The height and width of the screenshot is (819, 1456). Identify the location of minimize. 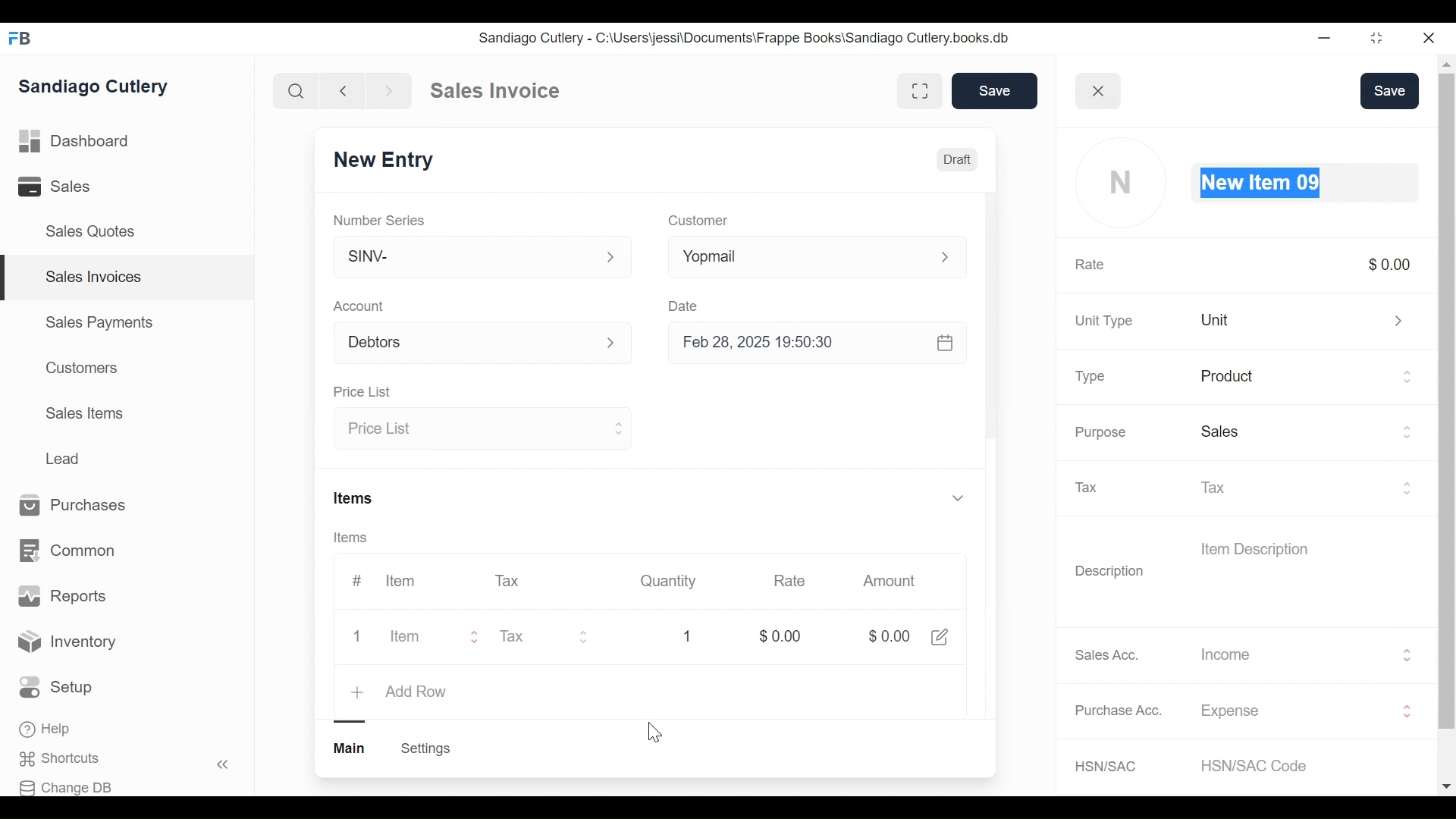
(1324, 37).